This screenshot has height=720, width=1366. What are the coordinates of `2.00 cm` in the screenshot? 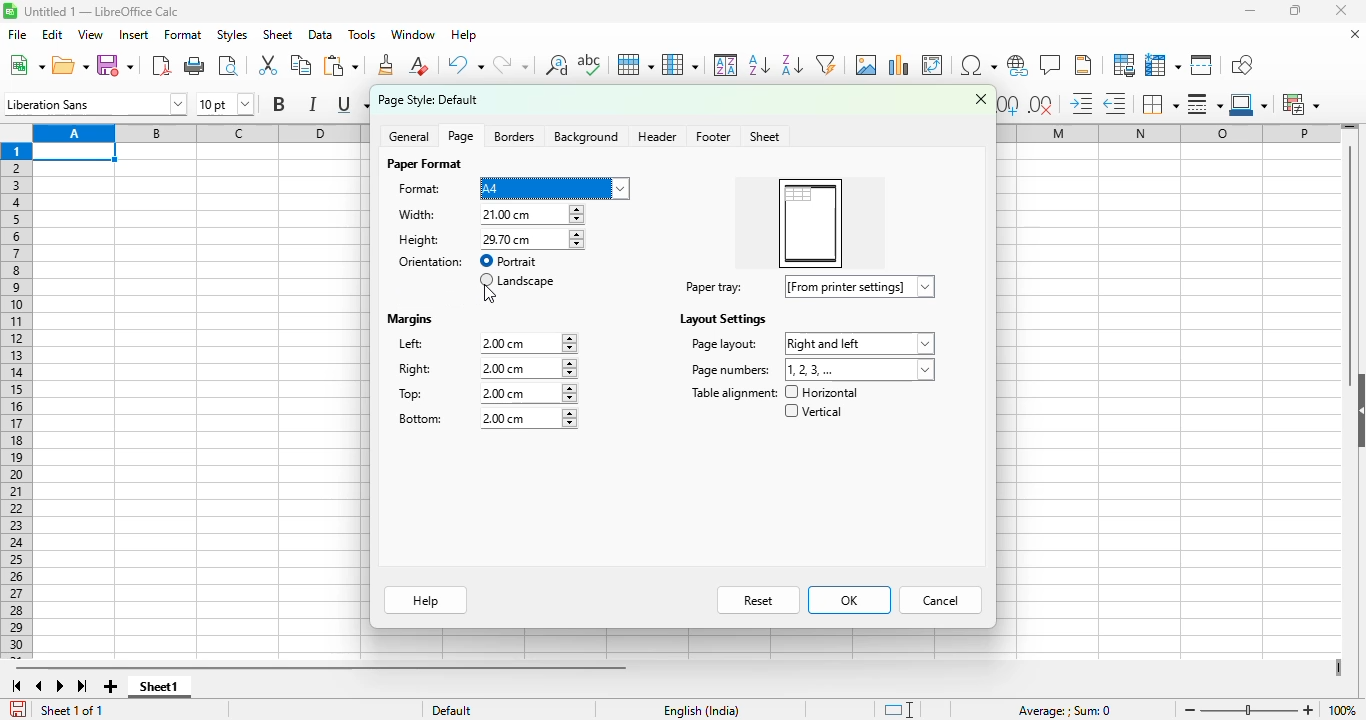 It's located at (528, 369).